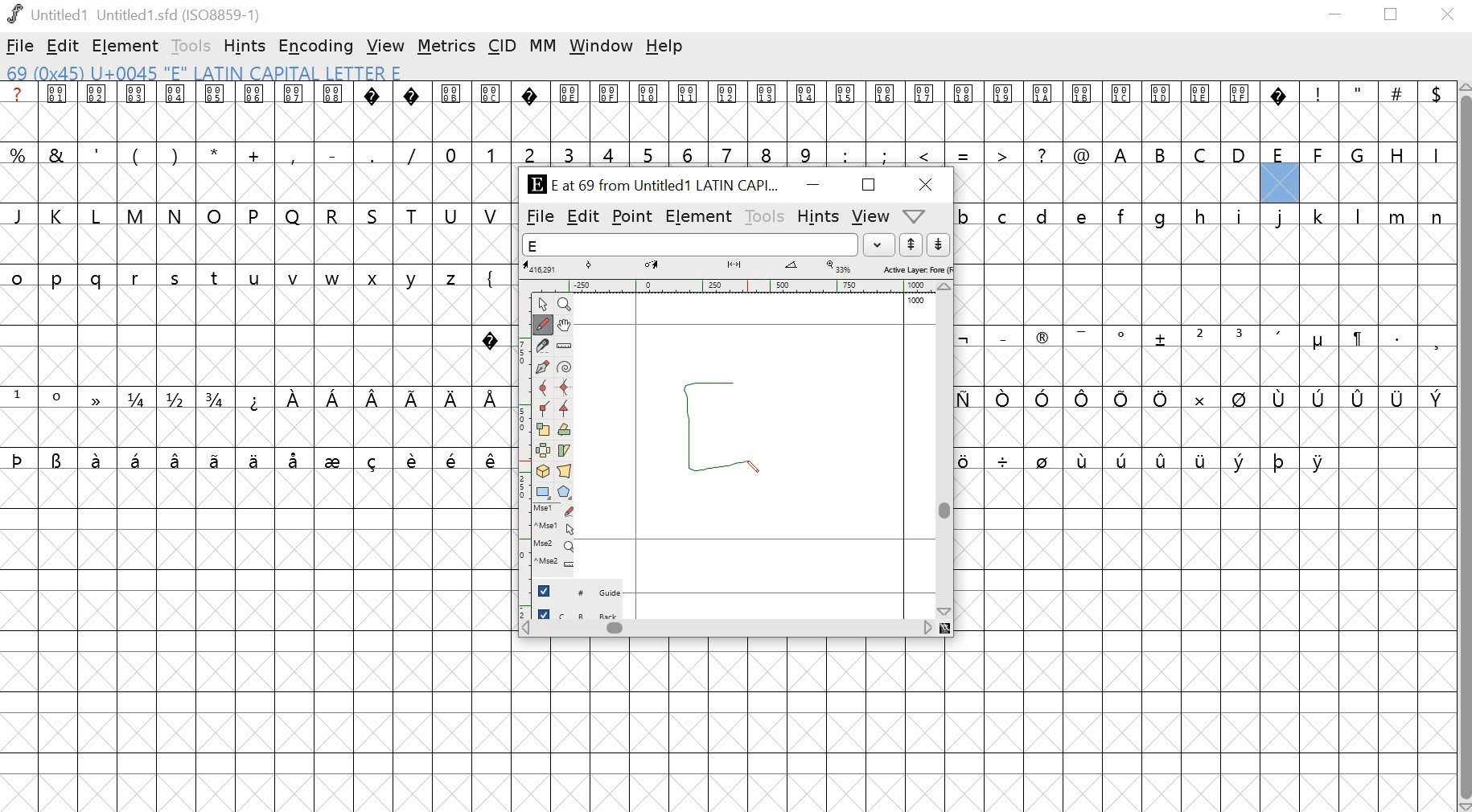 This screenshot has width=1472, height=812. What do you see at coordinates (254, 429) in the screenshot?
I see `empty cells` at bounding box center [254, 429].